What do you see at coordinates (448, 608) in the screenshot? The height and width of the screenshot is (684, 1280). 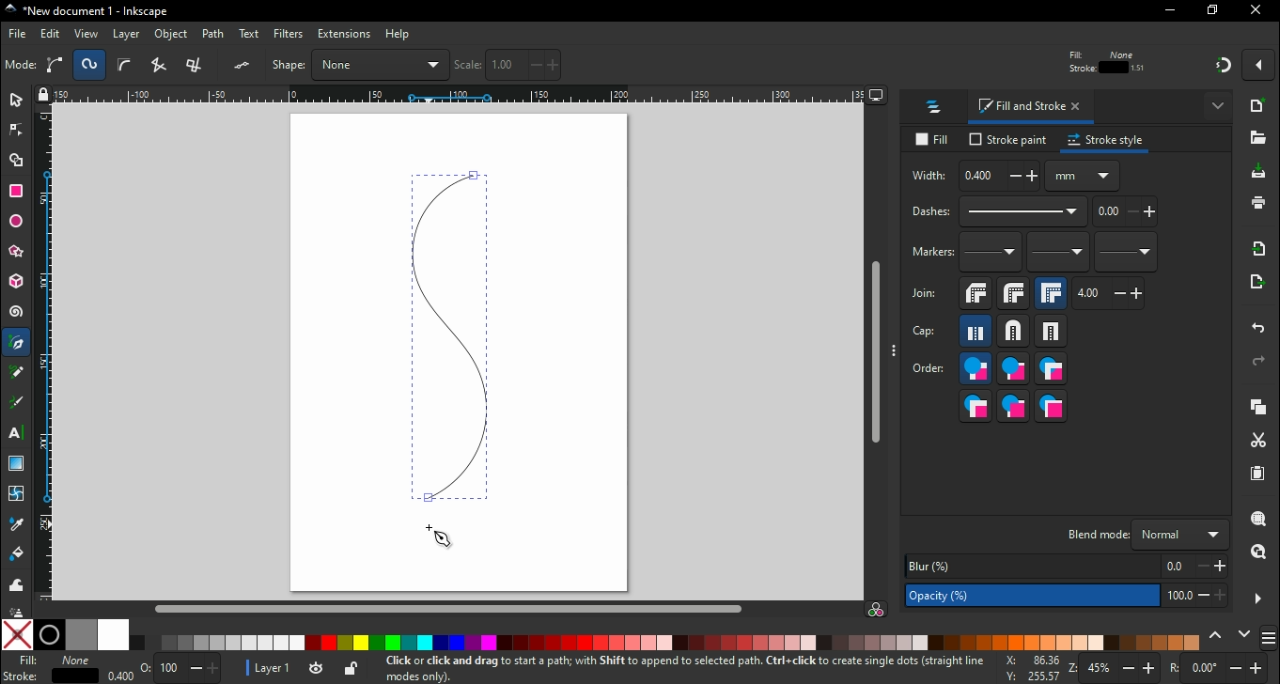 I see `scroll bar` at bounding box center [448, 608].